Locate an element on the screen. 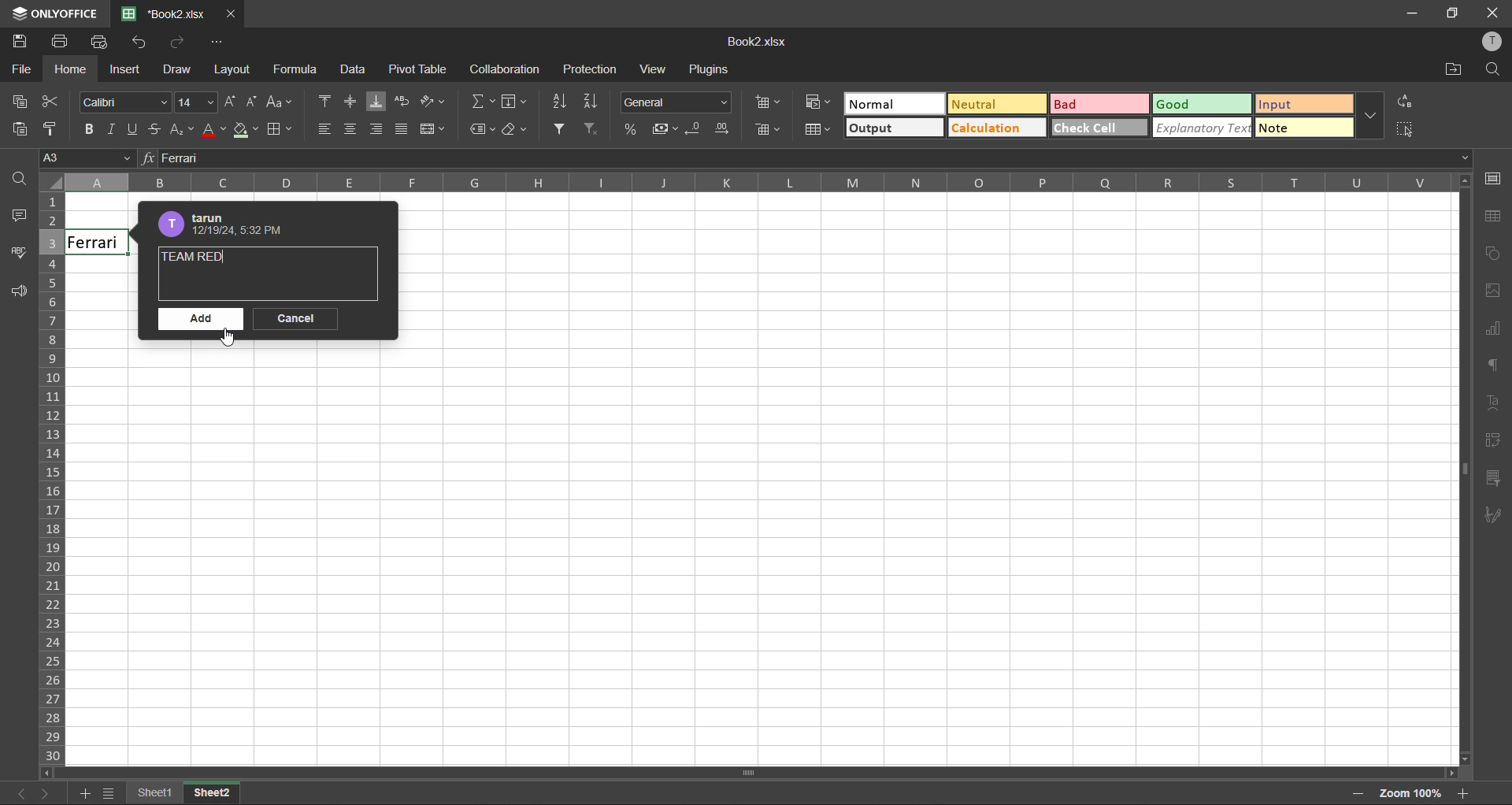 This screenshot has height=805, width=1512. clear is located at coordinates (516, 129).